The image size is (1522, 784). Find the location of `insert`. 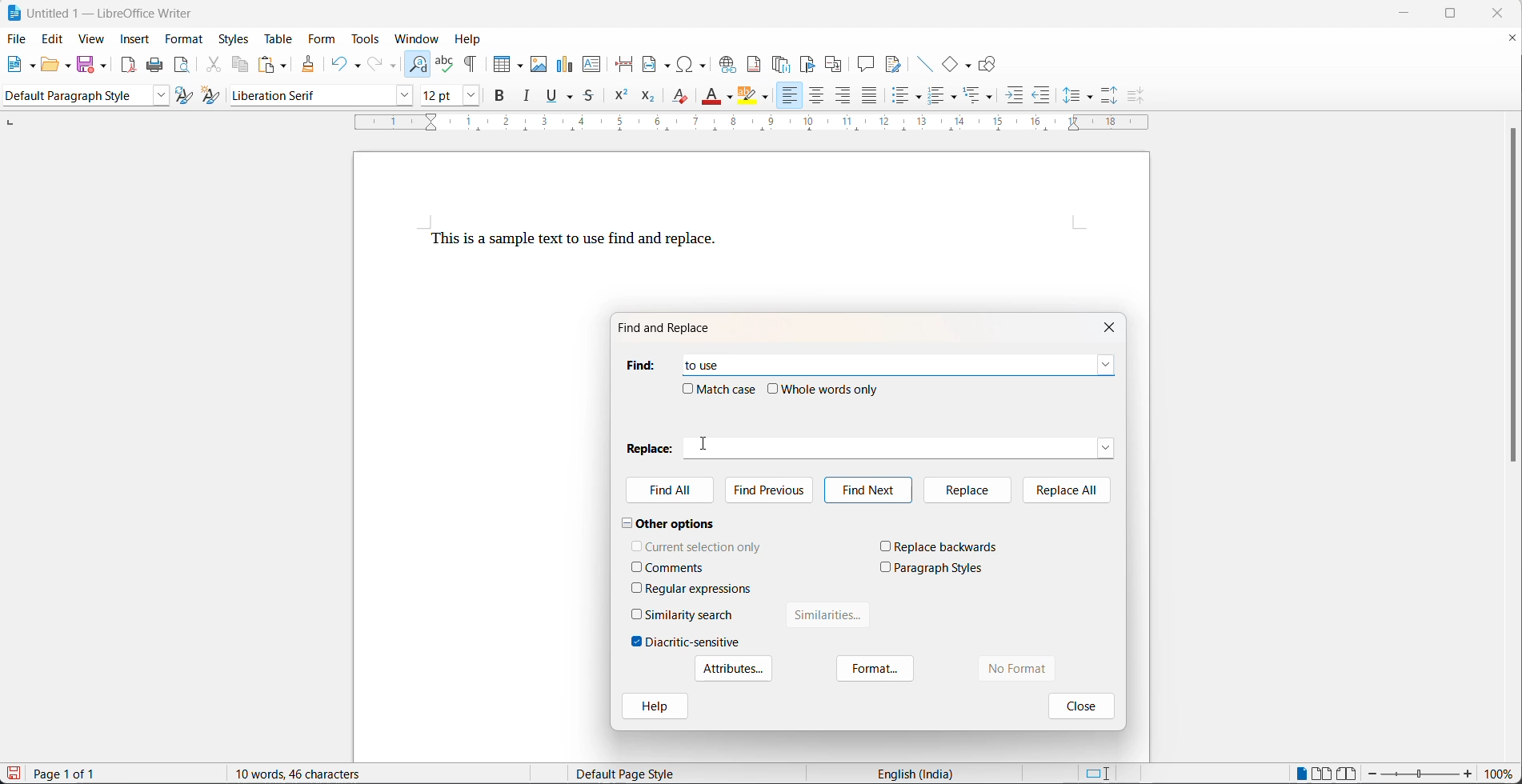

insert is located at coordinates (135, 38).